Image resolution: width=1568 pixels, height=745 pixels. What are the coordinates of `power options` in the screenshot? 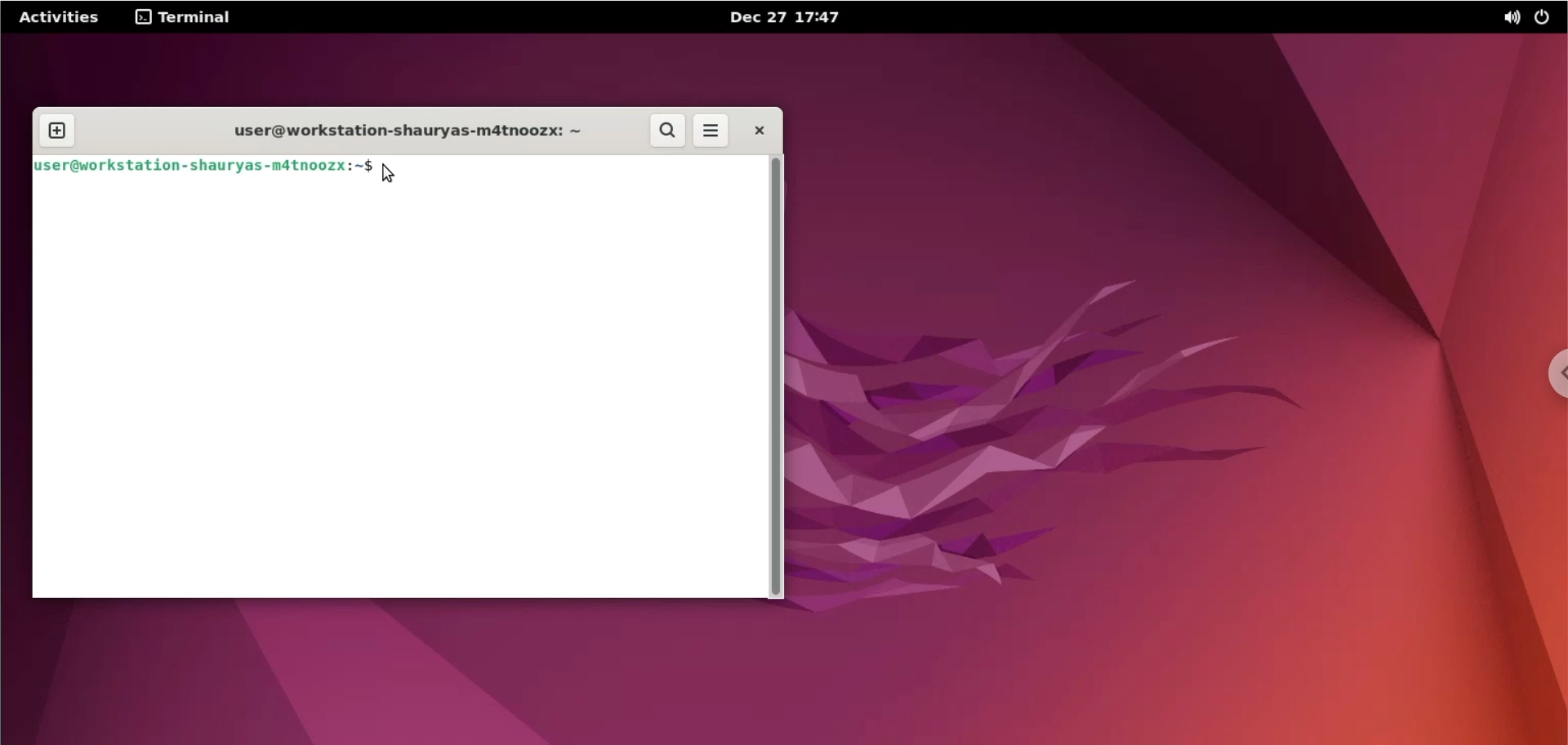 It's located at (1546, 16).